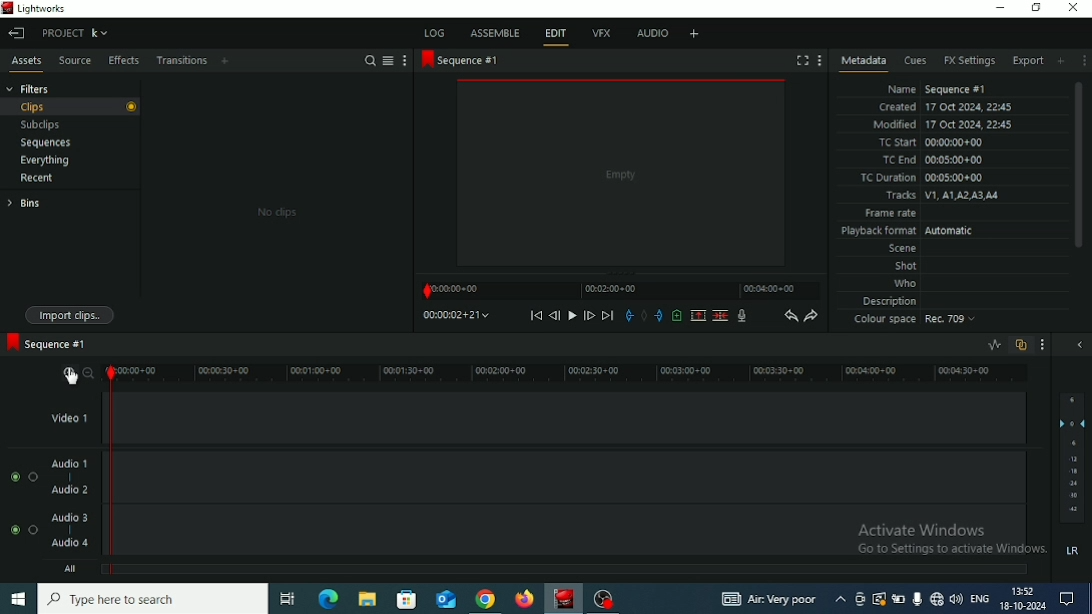 This screenshot has height=614, width=1092. Describe the element at coordinates (18, 34) in the screenshot. I see `Exit the current project and return to the project browser` at that location.